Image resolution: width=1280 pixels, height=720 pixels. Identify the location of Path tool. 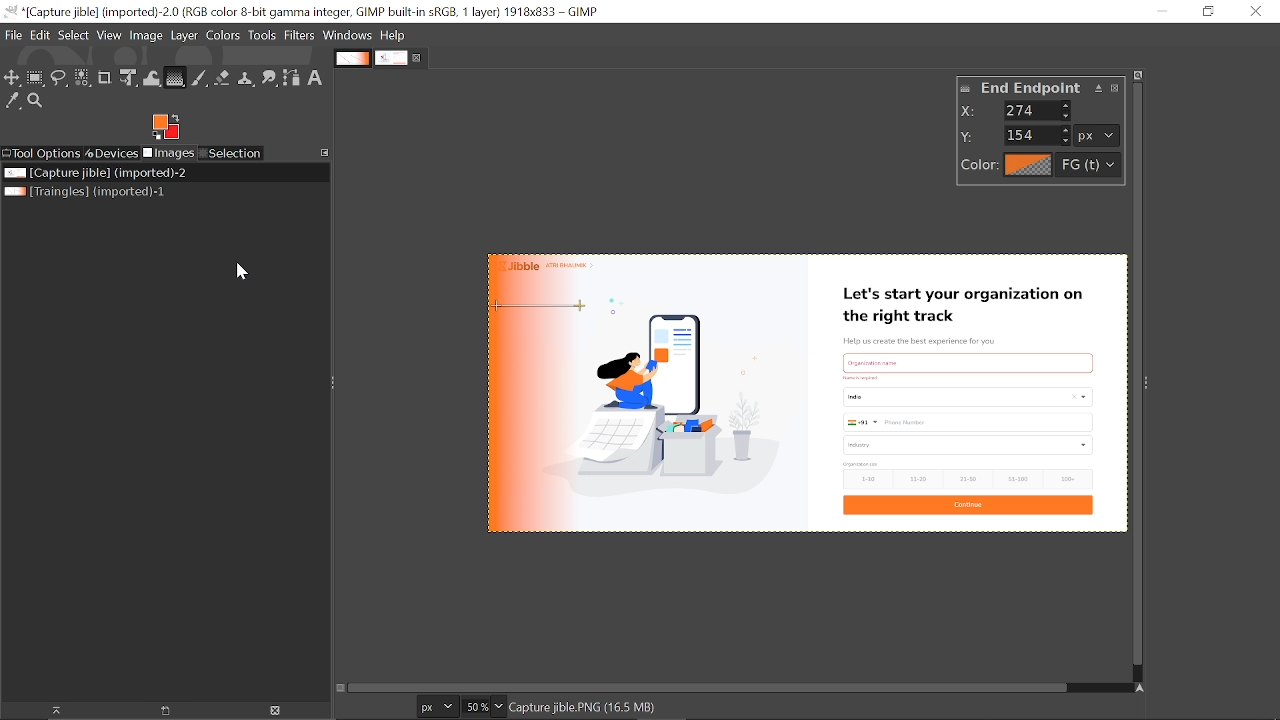
(291, 78).